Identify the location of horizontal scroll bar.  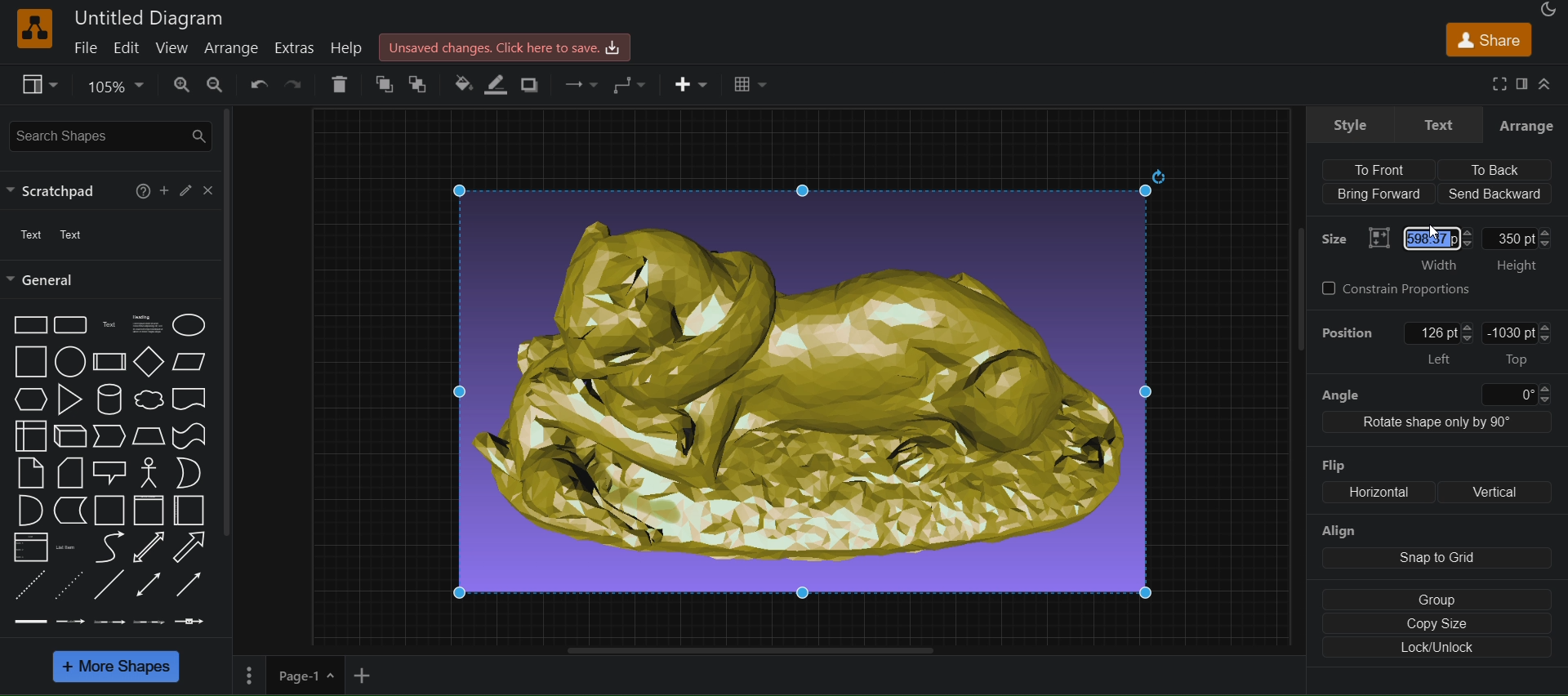
(740, 649).